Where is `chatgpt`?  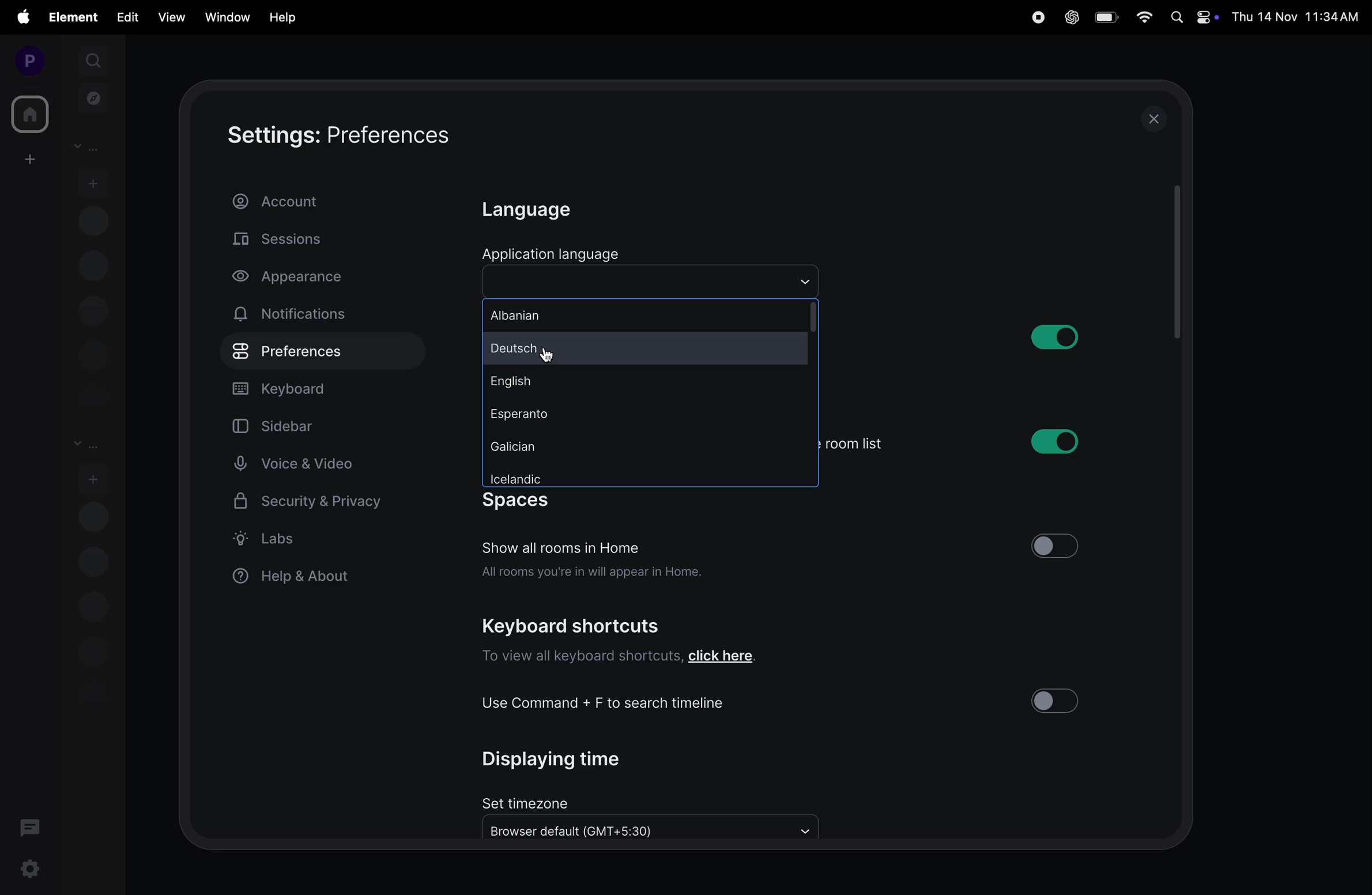 chatgpt is located at coordinates (1069, 17).